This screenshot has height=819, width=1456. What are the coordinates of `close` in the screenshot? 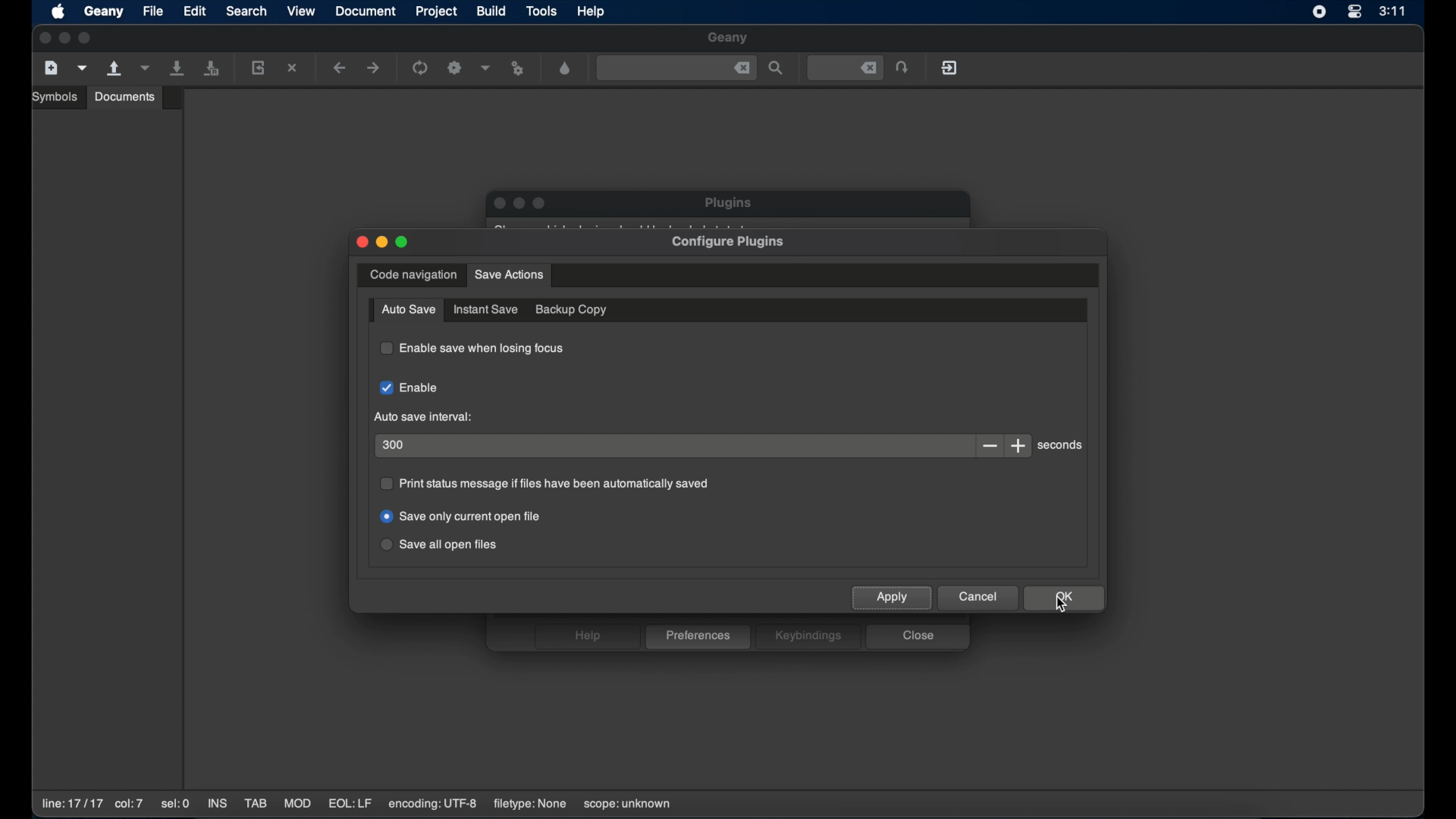 It's located at (497, 203).